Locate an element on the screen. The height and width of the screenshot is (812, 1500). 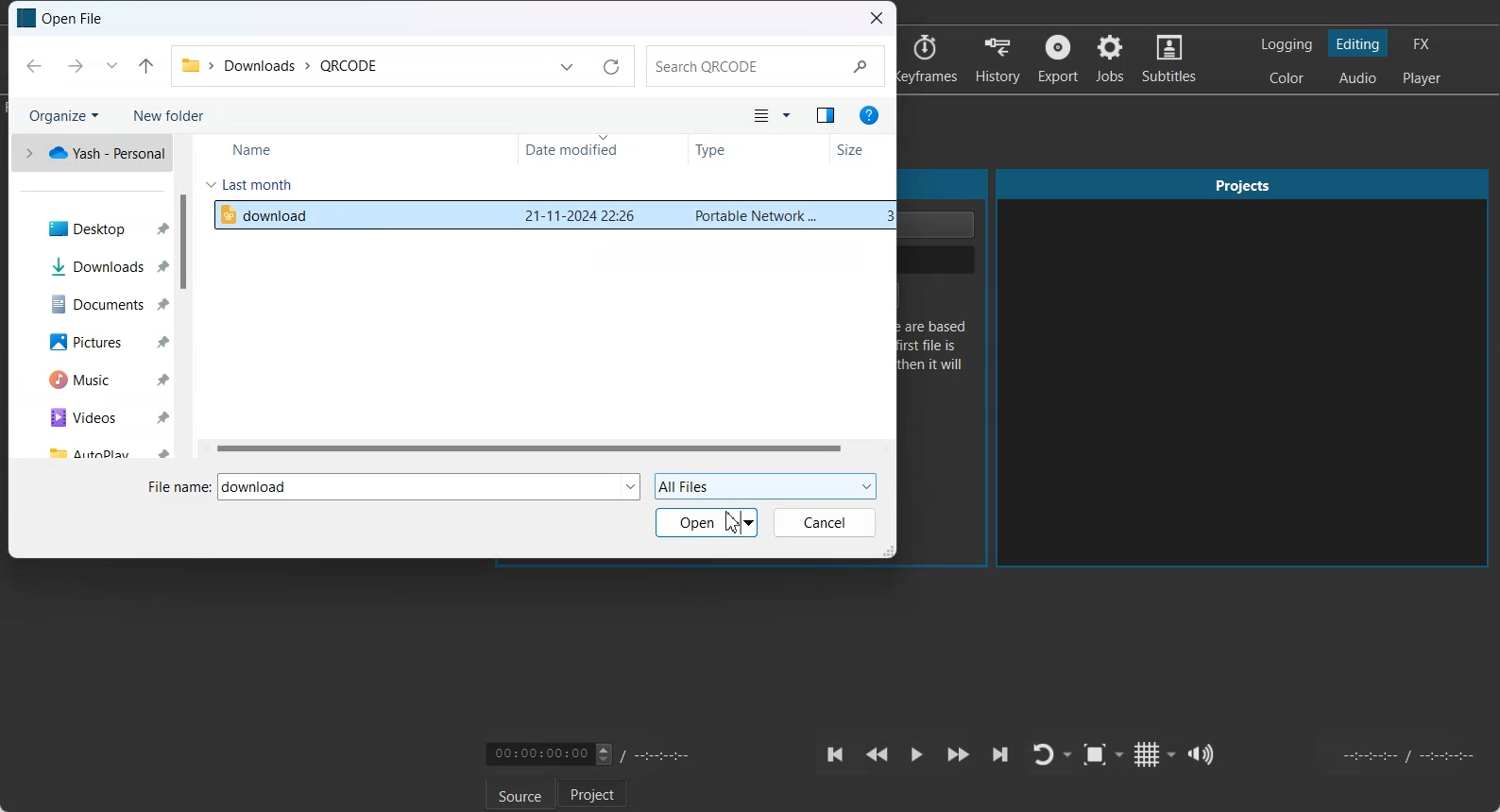
Size is located at coordinates (858, 148).